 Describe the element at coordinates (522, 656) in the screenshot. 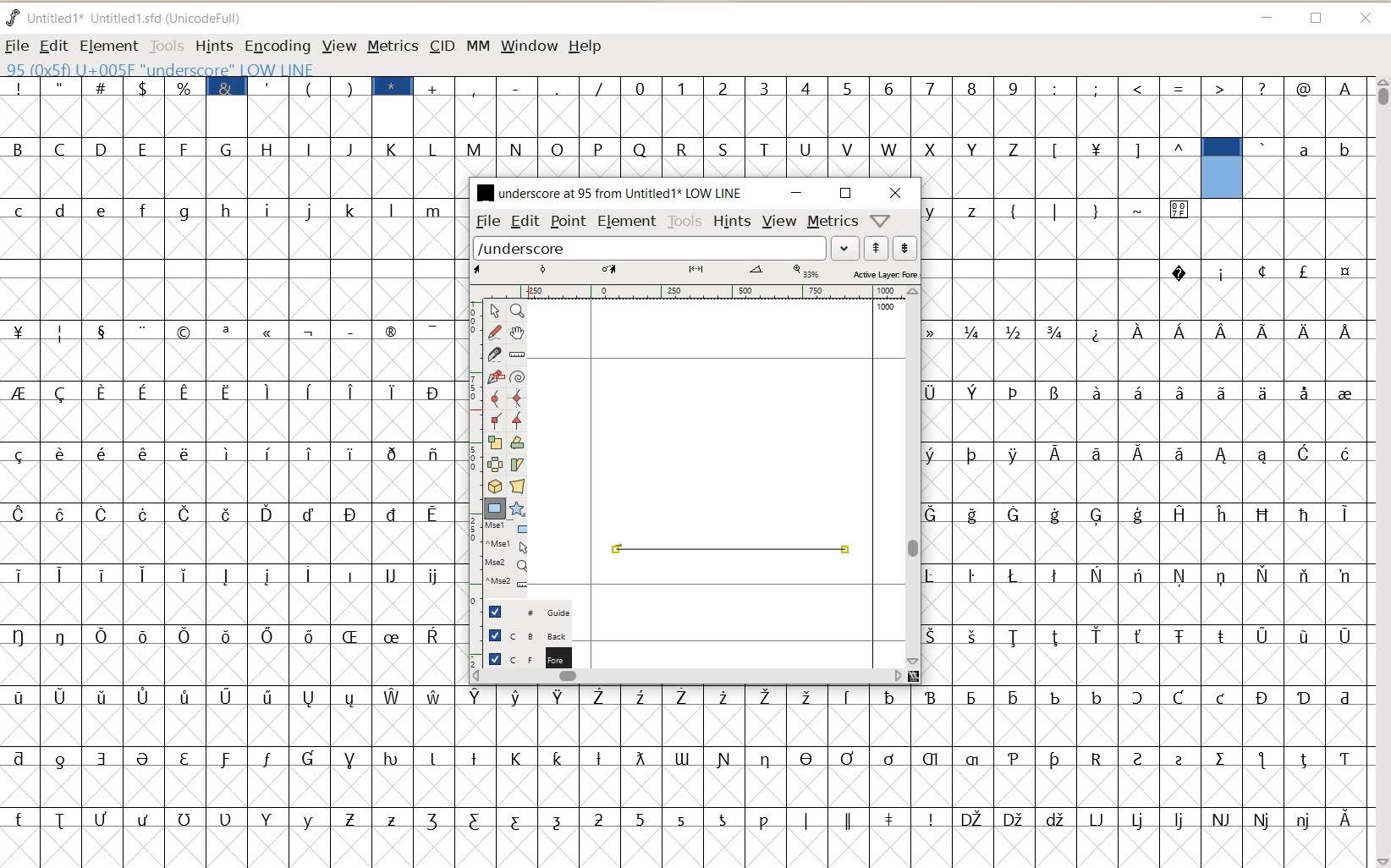

I see `FOREGROUND` at that location.